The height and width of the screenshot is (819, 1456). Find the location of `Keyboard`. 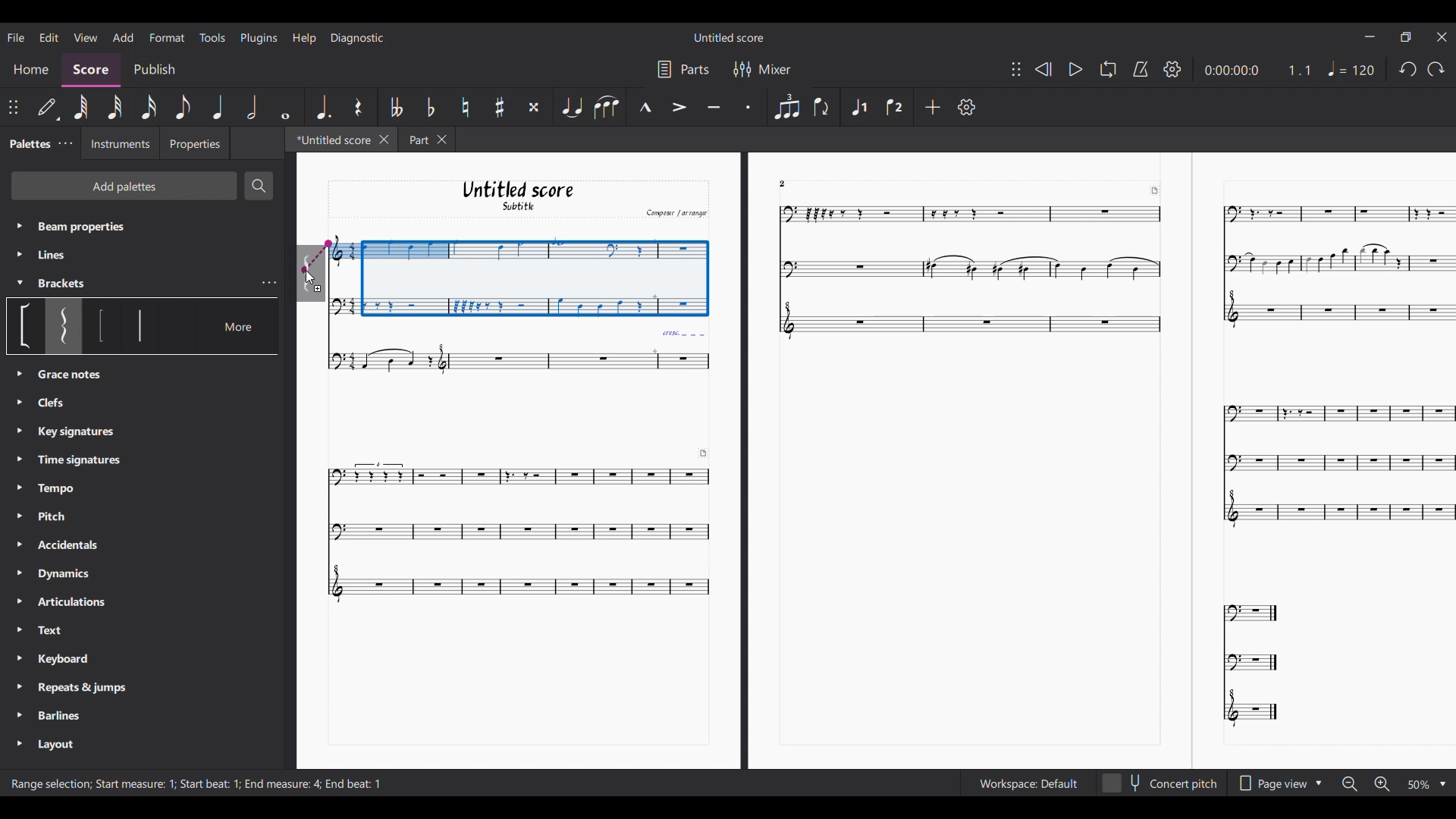

Keyboard is located at coordinates (75, 661).